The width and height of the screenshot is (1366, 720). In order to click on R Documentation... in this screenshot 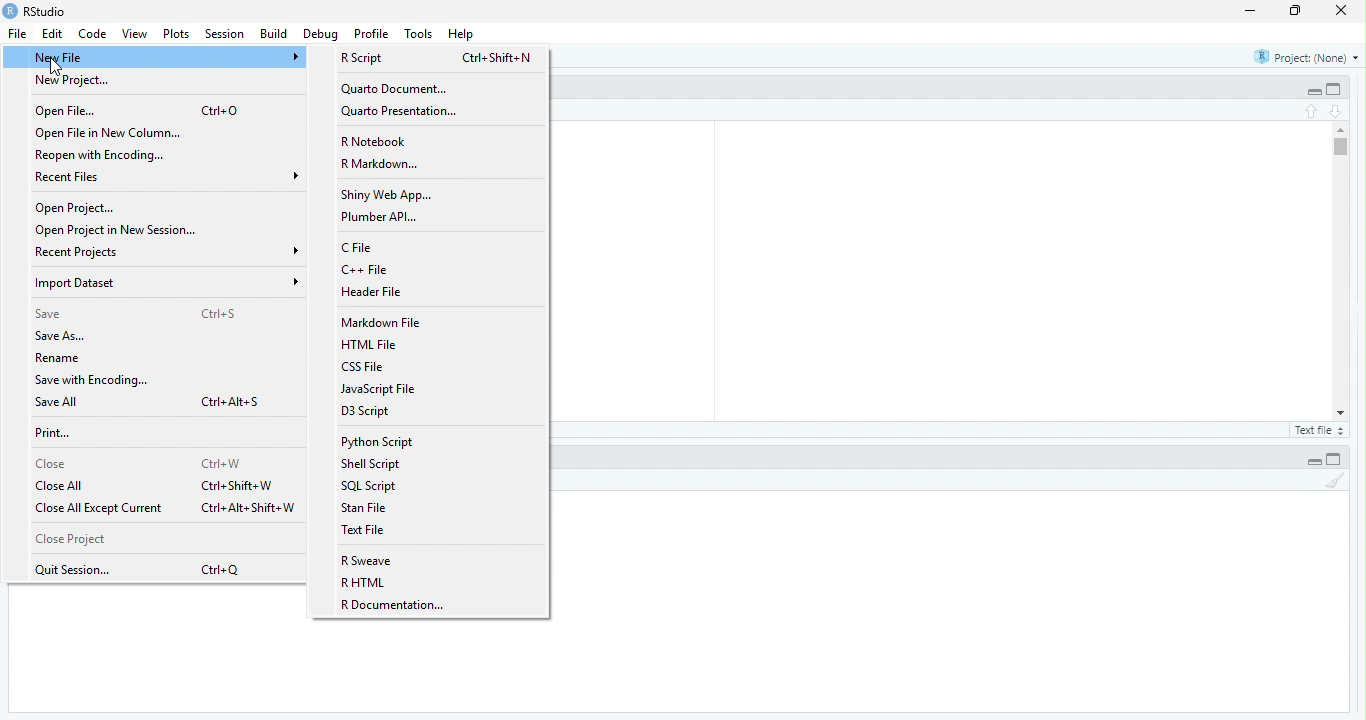, I will do `click(397, 605)`.